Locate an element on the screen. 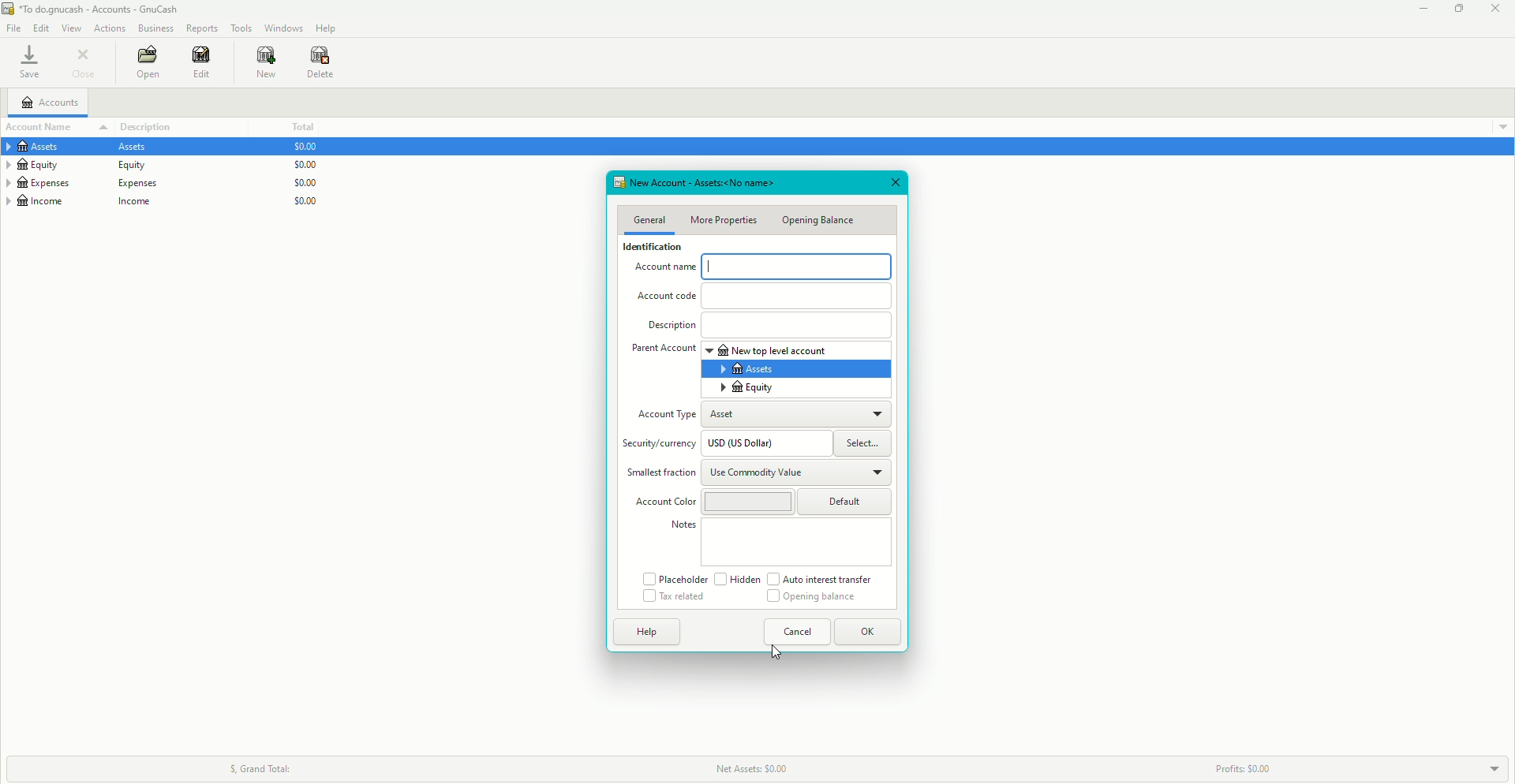 The width and height of the screenshot is (1515, 784). Asset is located at coordinates (731, 416).